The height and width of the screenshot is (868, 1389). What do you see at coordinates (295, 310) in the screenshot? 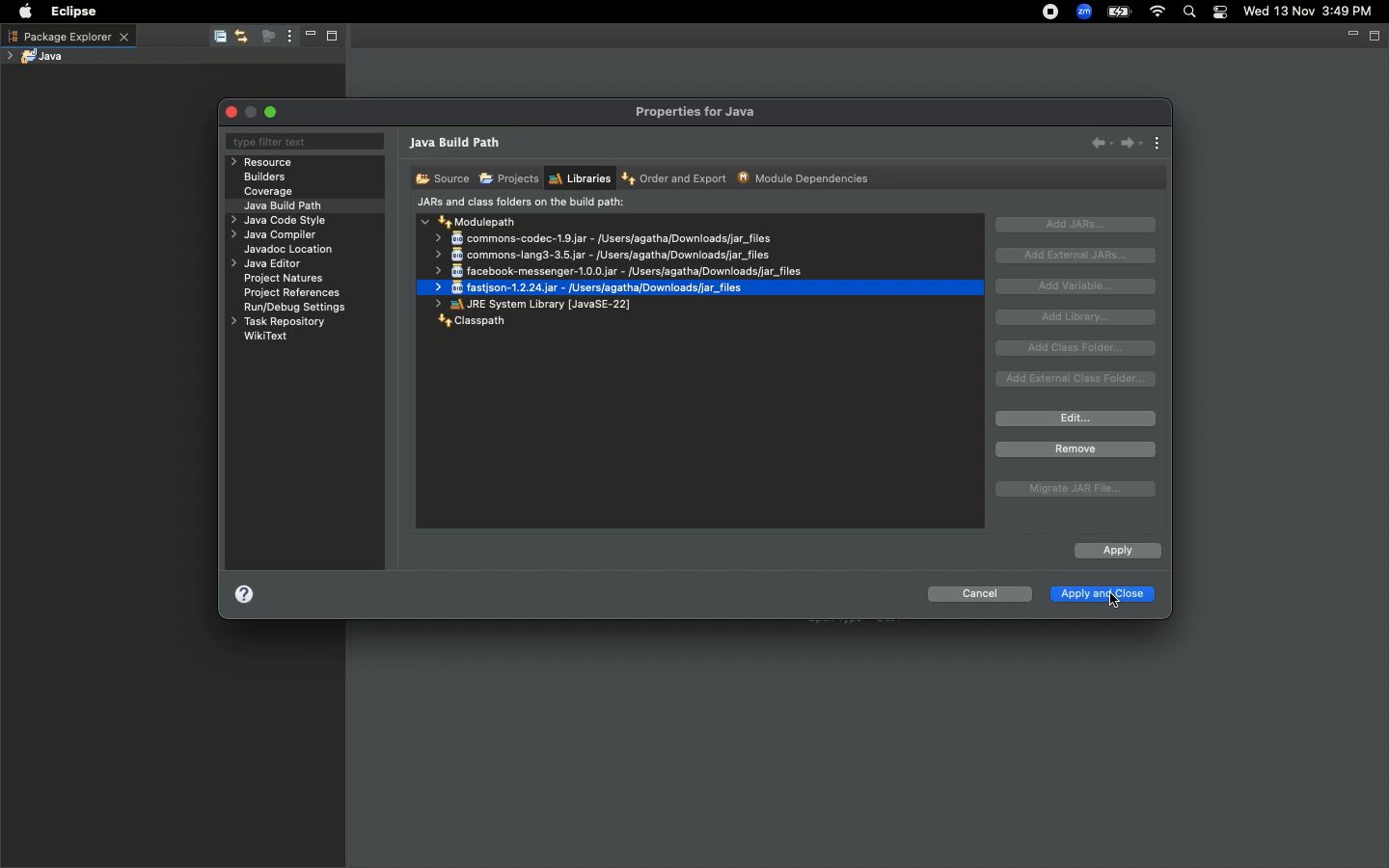
I see `RuryDebug` at bounding box center [295, 310].